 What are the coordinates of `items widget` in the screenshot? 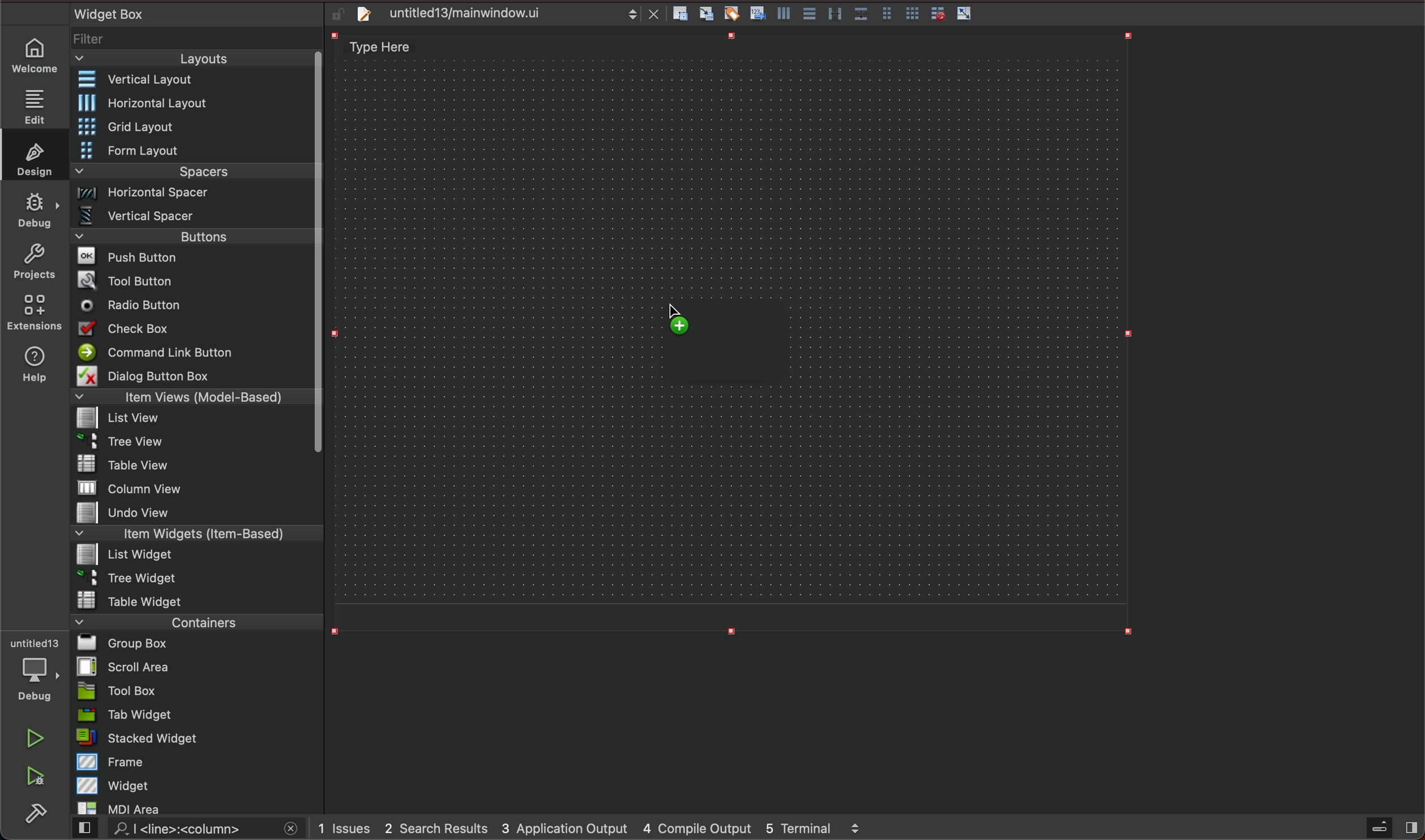 It's located at (192, 534).